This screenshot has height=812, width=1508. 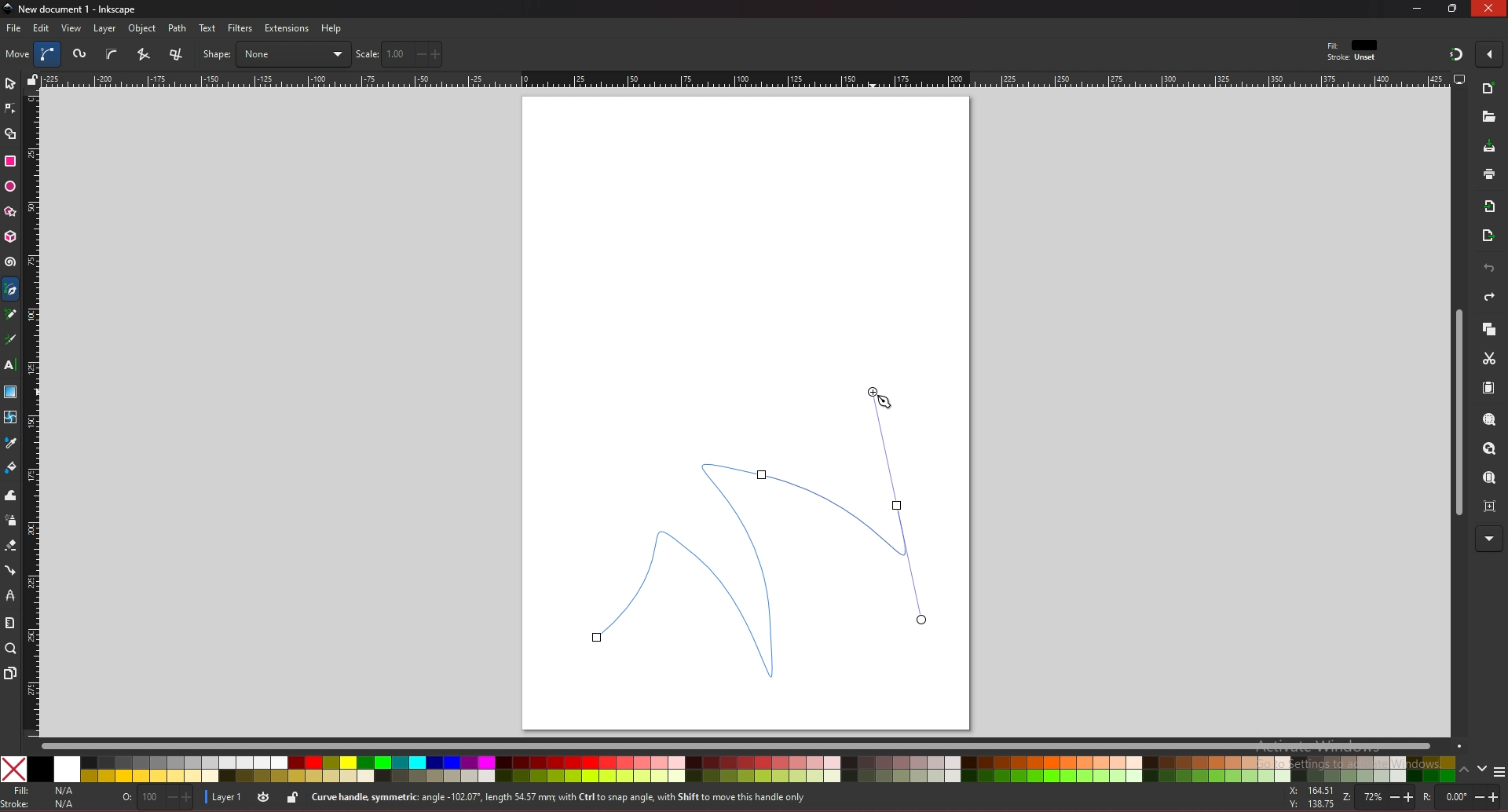 I want to click on view, so click(x=72, y=28).